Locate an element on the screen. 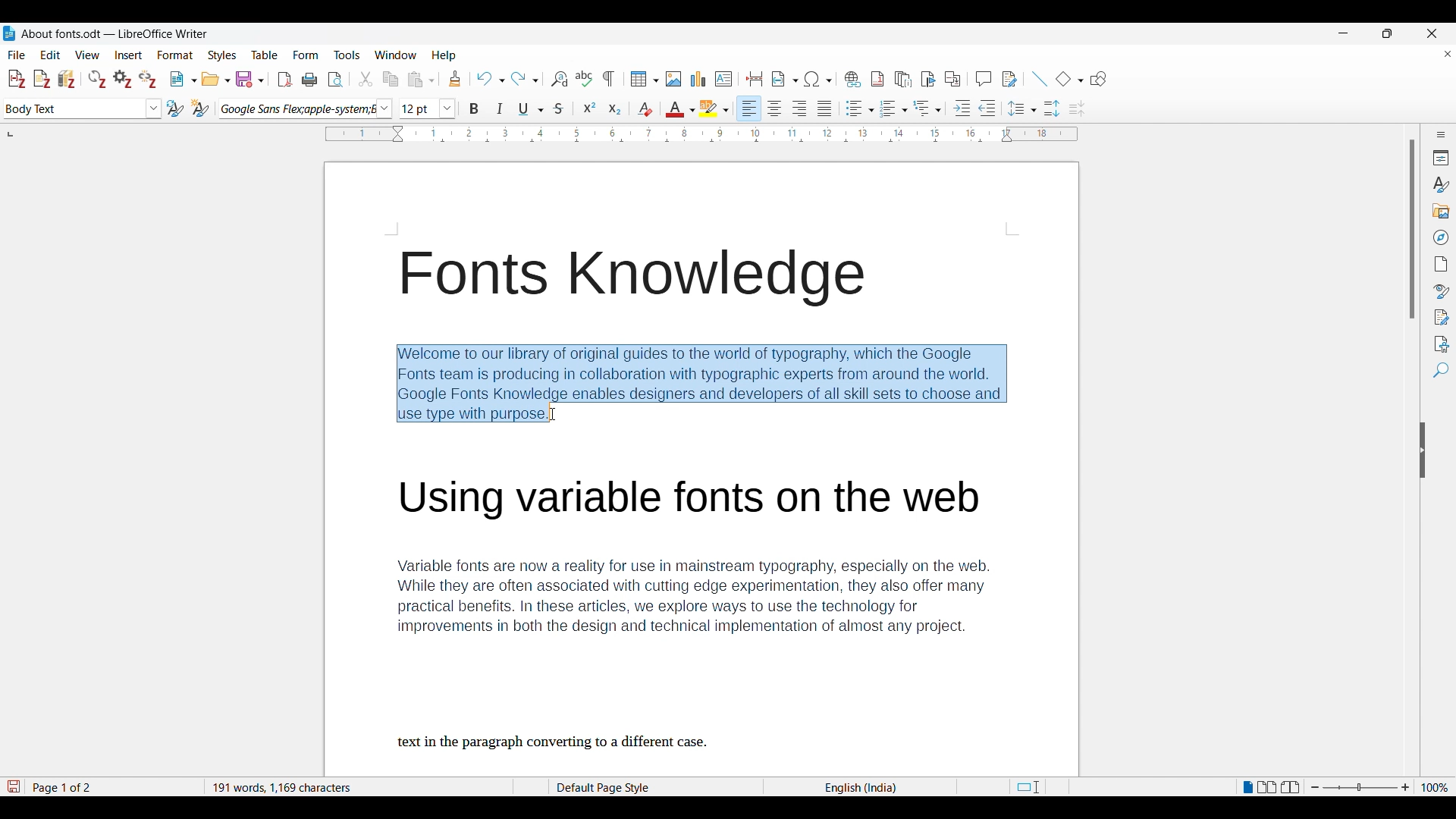 This screenshot has height=819, width=1456. Accessibility check is located at coordinates (1442, 344).